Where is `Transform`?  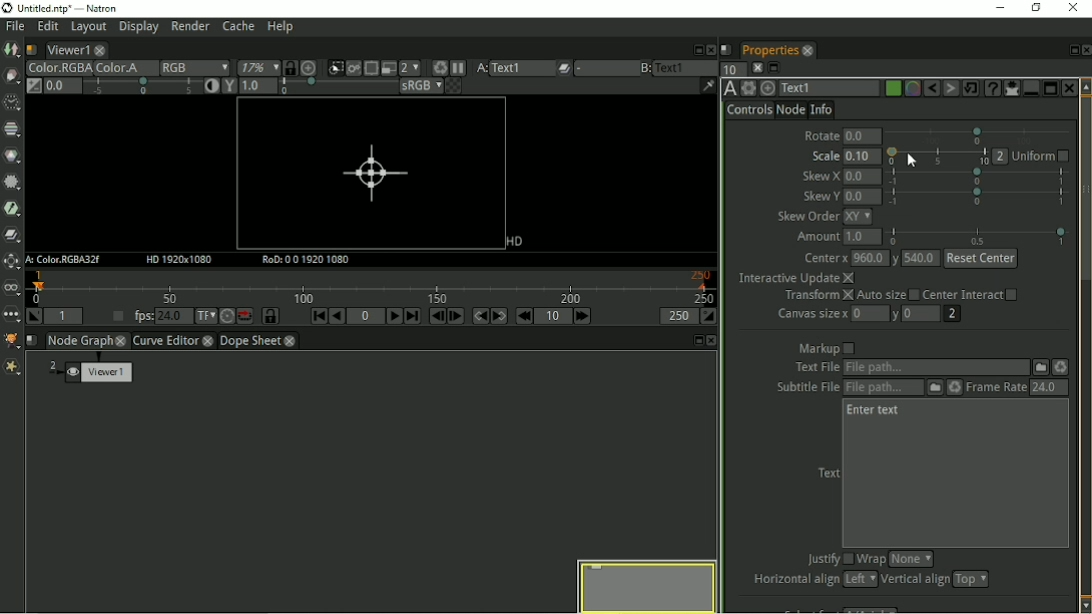
Transform is located at coordinates (13, 260).